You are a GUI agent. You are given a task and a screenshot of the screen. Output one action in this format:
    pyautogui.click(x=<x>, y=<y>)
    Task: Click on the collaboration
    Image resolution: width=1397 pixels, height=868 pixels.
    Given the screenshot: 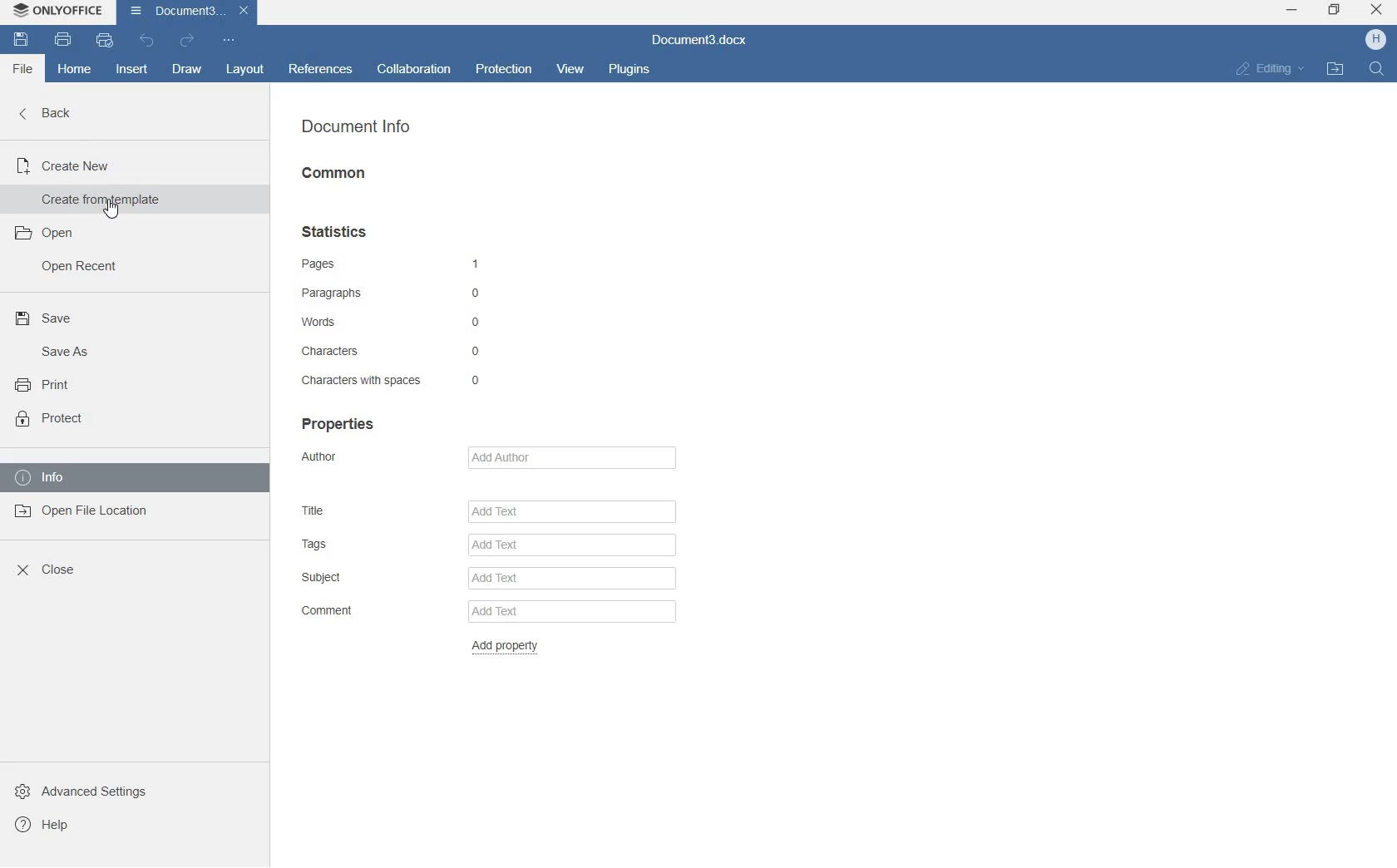 What is the action you would take?
    pyautogui.click(x=413, y=70)
    